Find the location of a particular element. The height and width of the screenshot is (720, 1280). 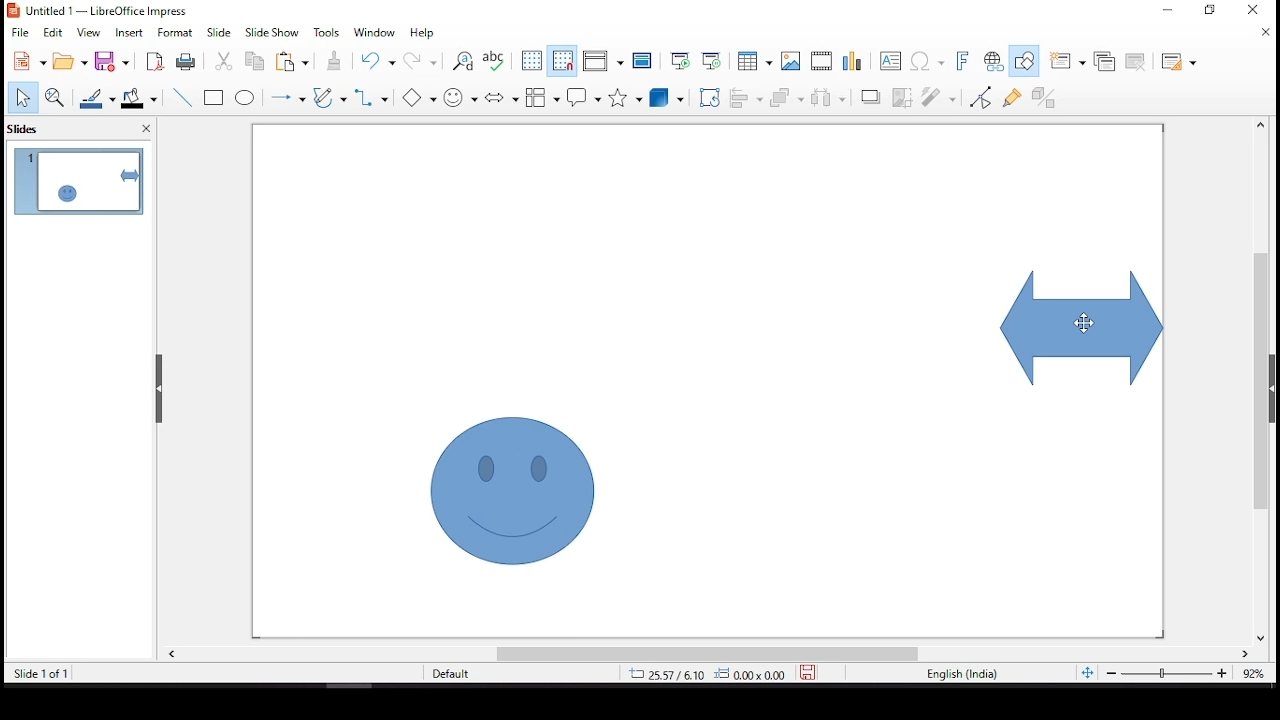

delete slide is located at coordinates (1139, 62).